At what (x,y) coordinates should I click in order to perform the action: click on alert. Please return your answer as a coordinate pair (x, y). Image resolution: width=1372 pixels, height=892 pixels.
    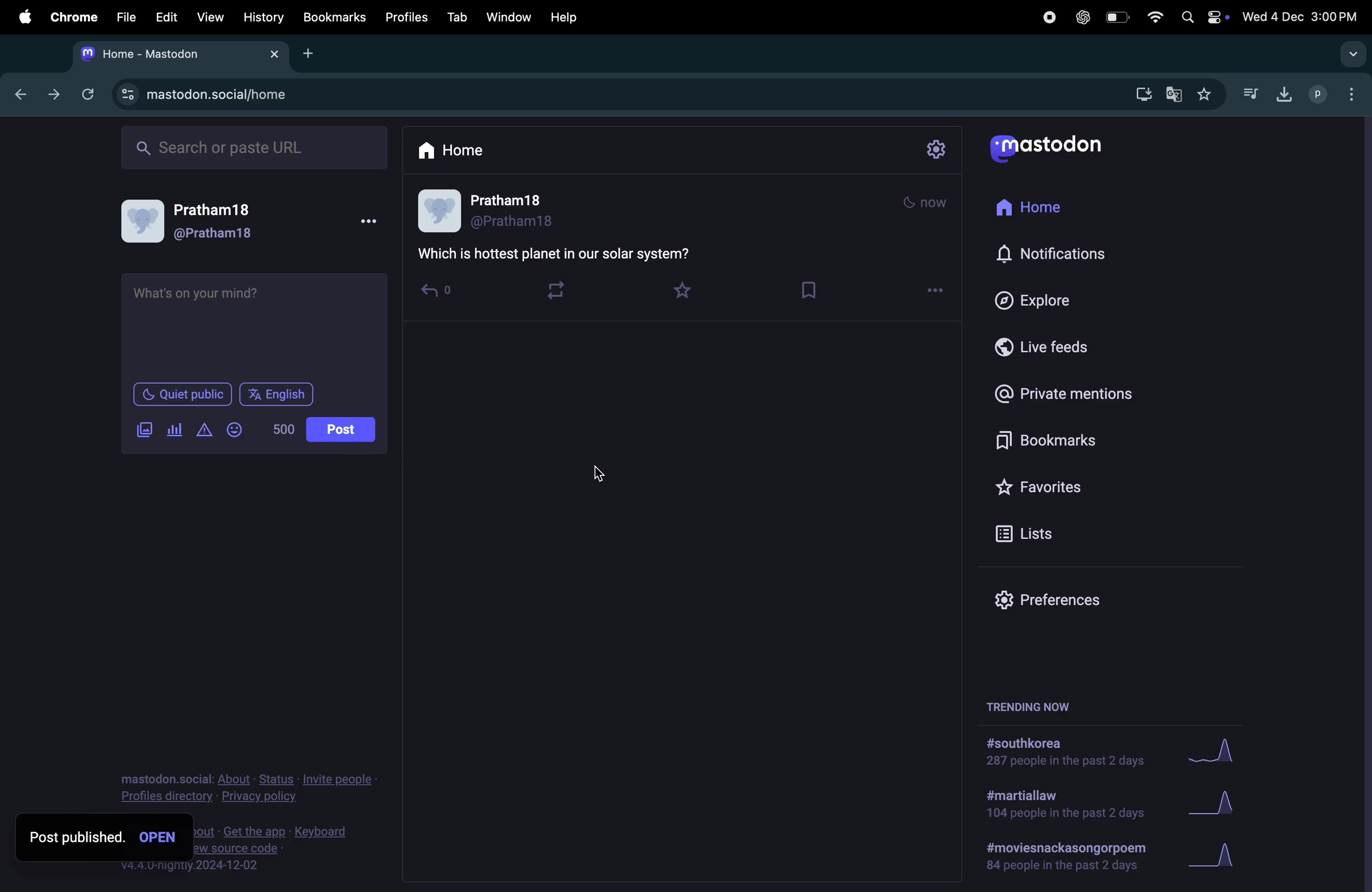
    Looking at the image, I should click on (203, 430).